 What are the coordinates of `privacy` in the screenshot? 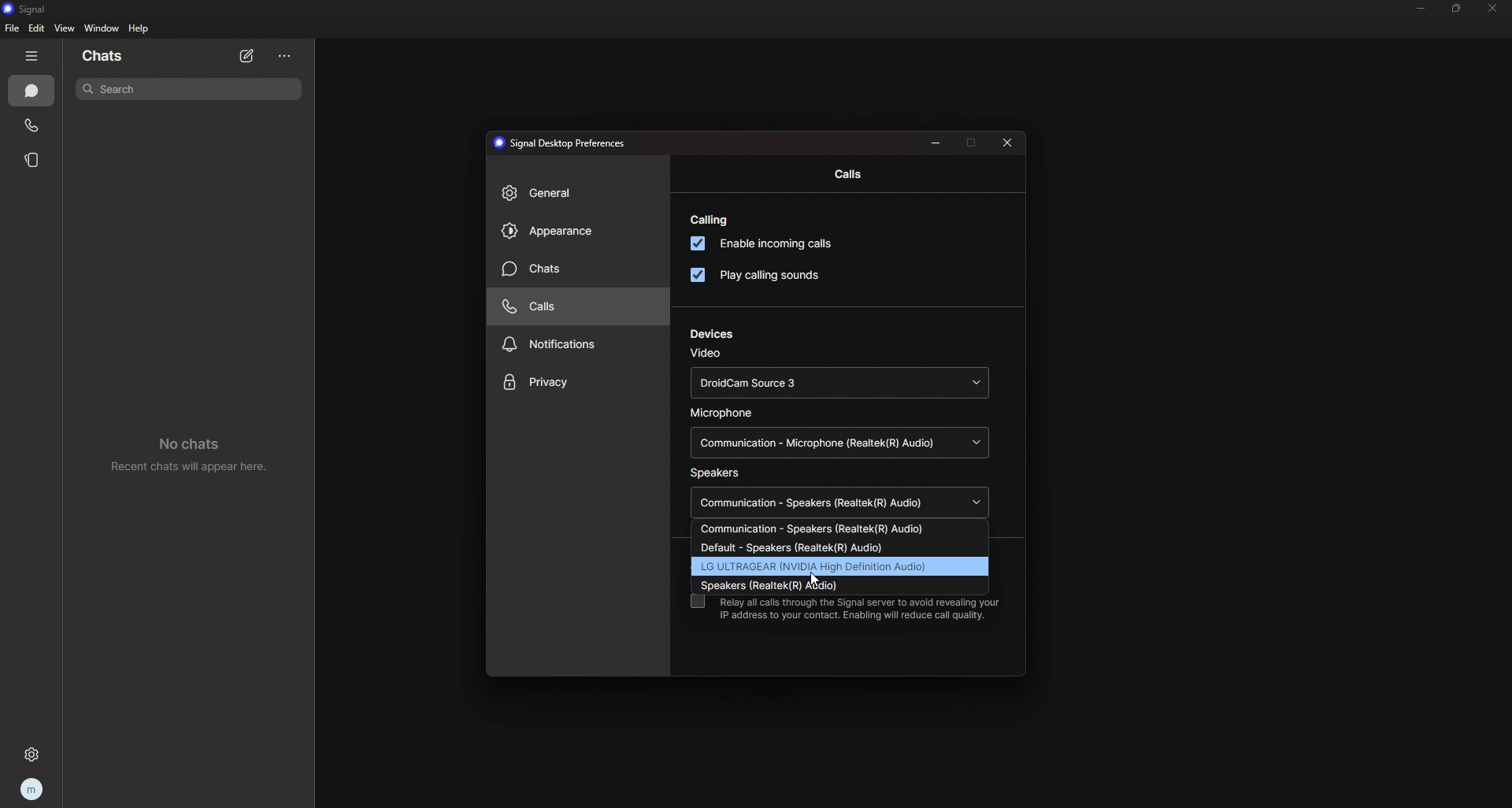 It's located at (576, 384).